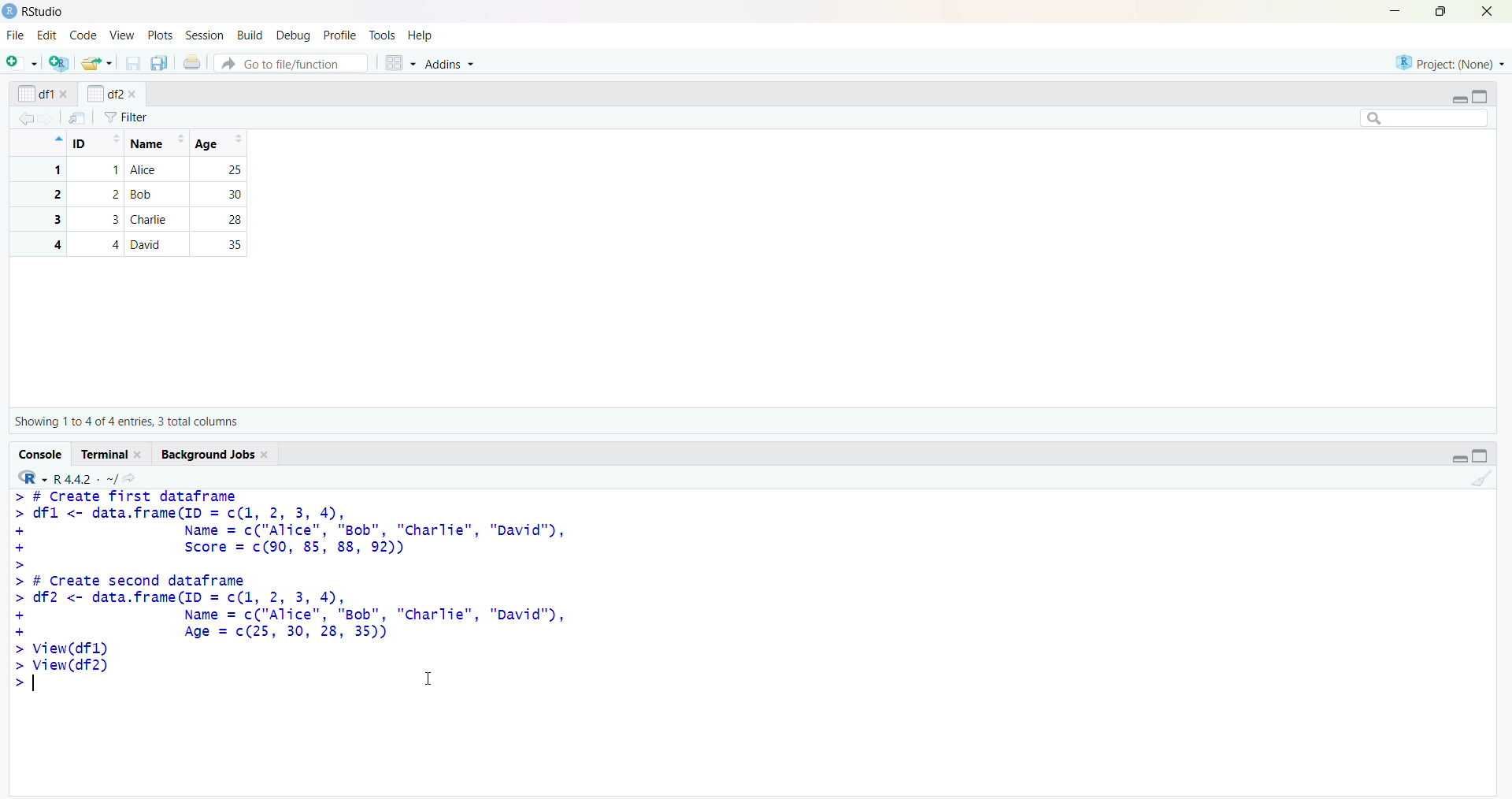  What do you see at coordinates (1479, 97) in the screenshot?
I see `toggle full view` at bounding box center [1479, 97].